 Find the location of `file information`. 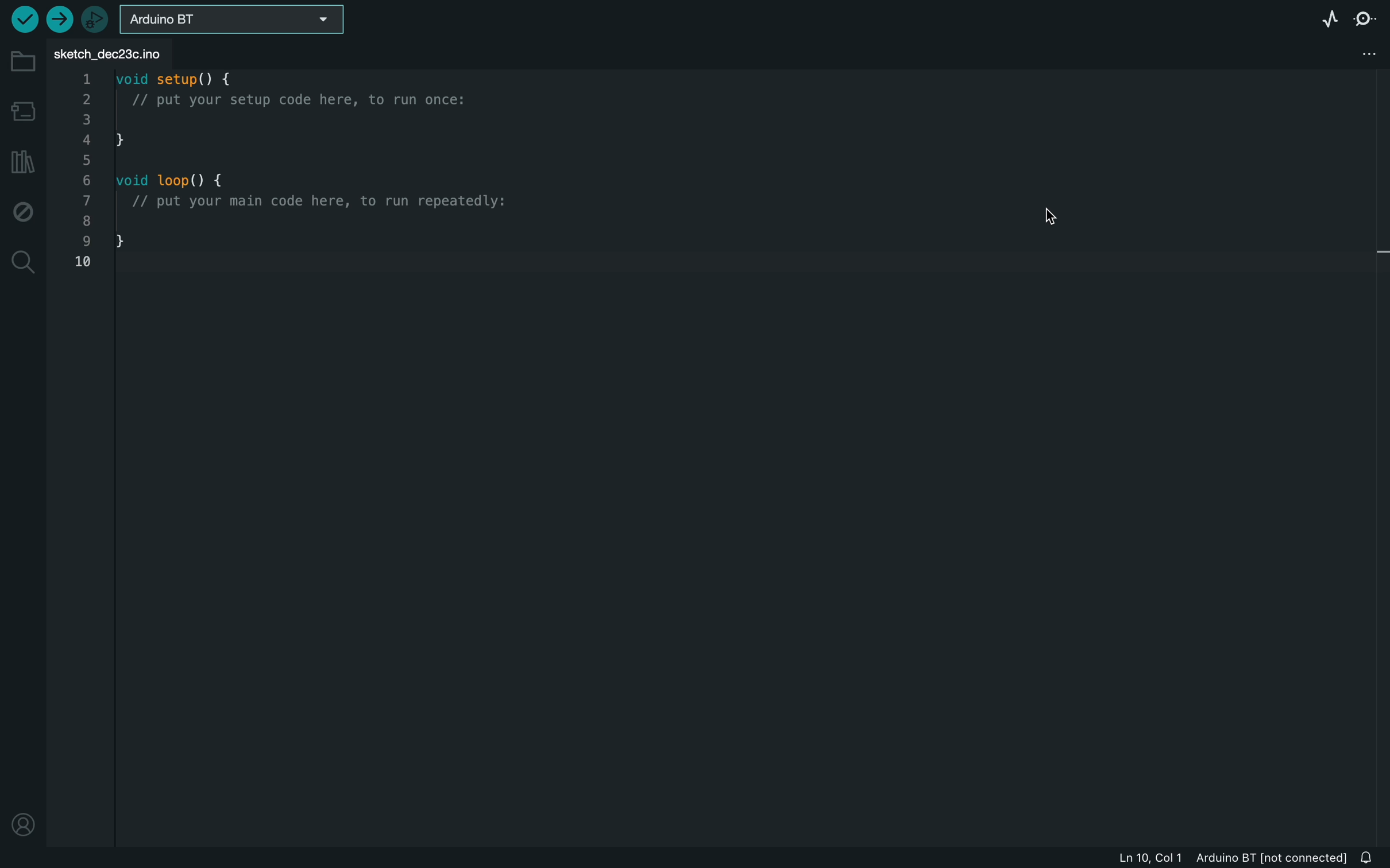

file information is located at coordinates (1232, 858).